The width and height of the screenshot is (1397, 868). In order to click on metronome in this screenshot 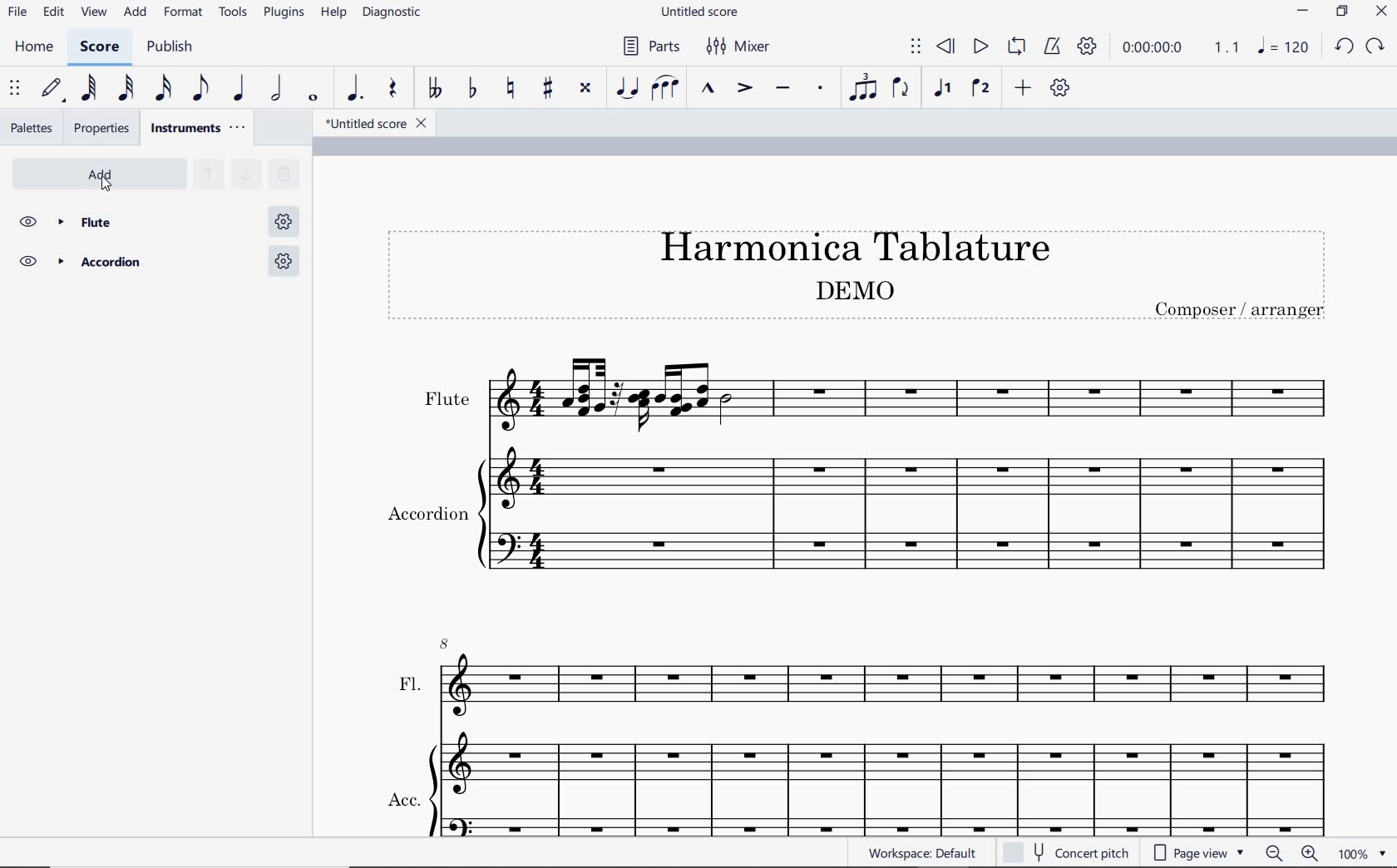, I will do `click(1051, 47)`.